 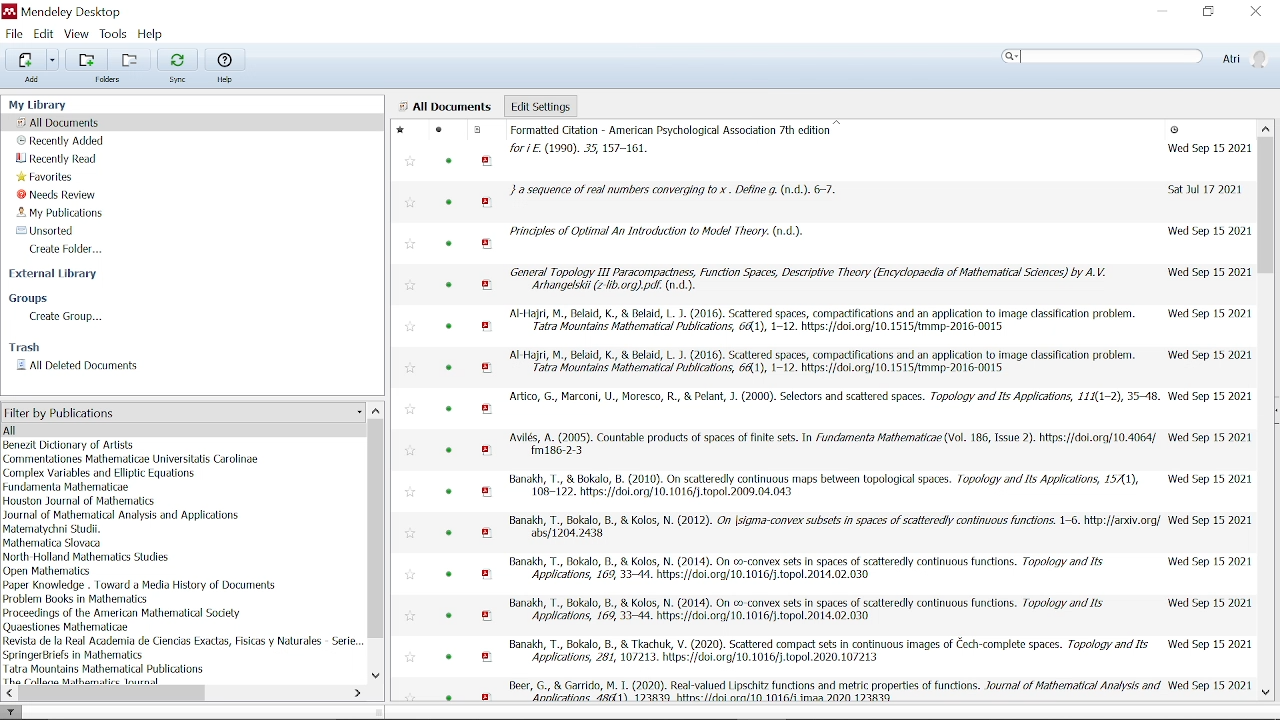 What do you see at coordinates (1266, 127) in the screenshot?
I see `Move up` at bounding box center [1266, 127].